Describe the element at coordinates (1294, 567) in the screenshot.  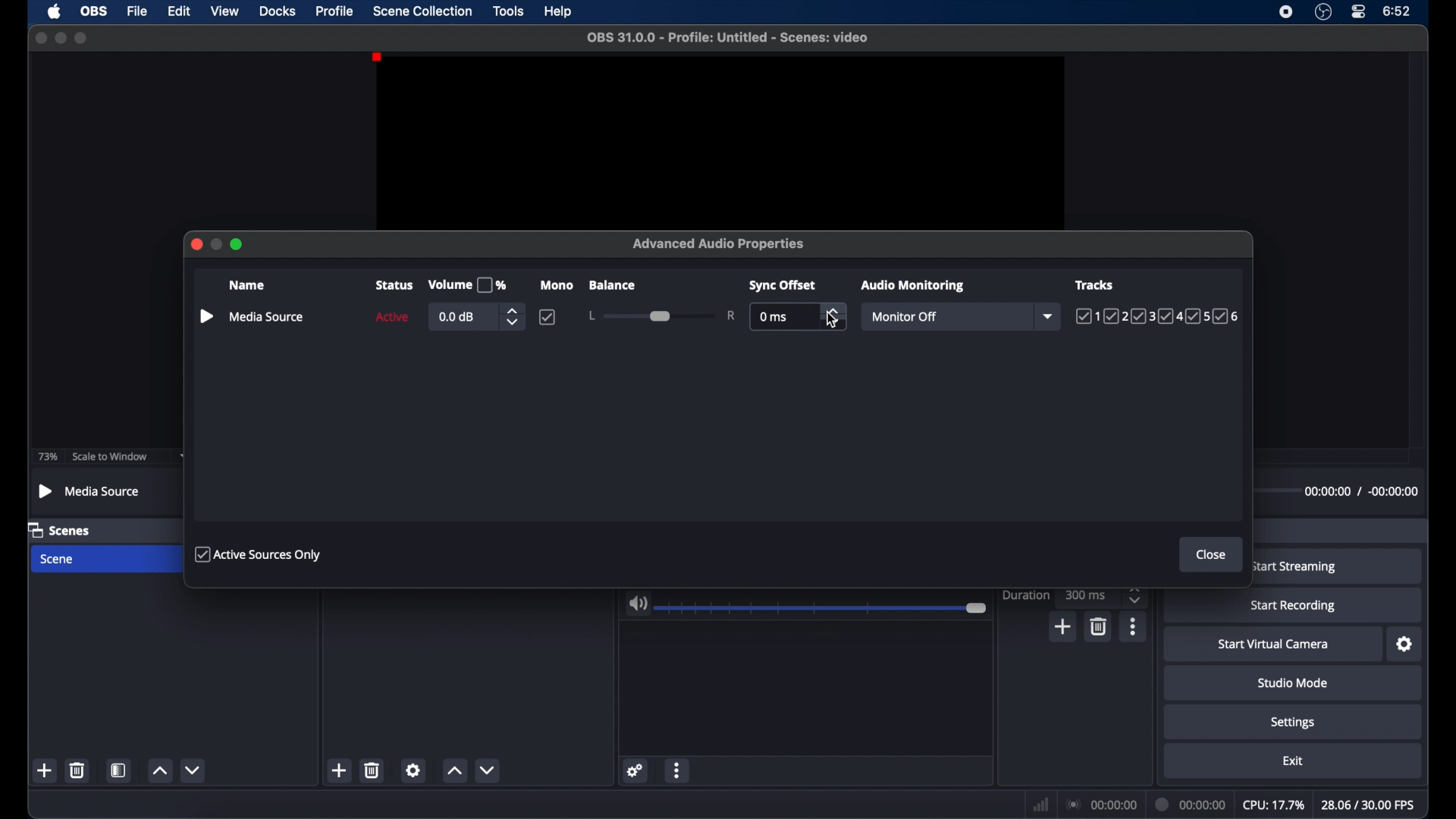
I see `start streaming` at that location.